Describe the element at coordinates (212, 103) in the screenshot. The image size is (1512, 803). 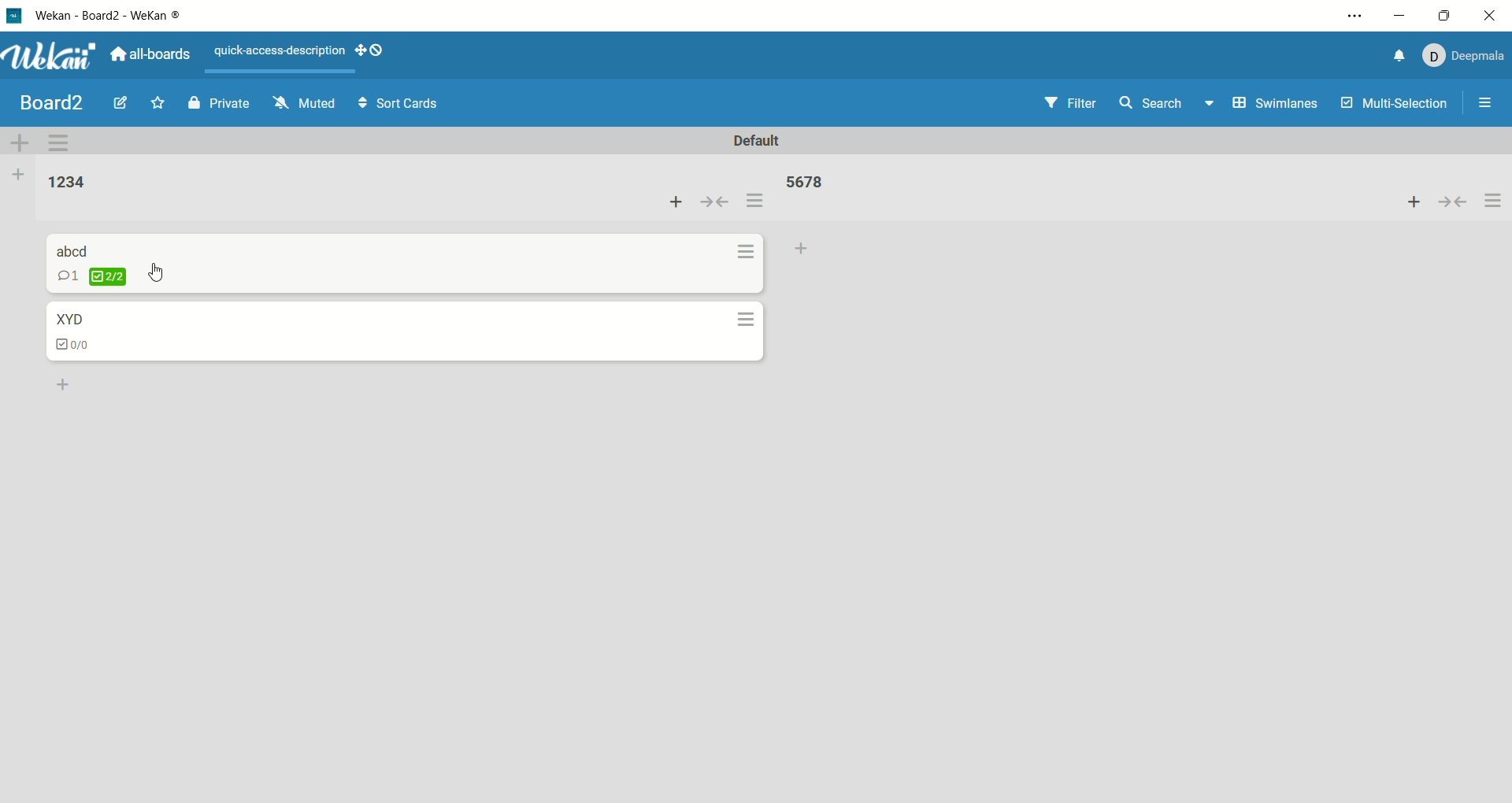
I see `private` at that location.